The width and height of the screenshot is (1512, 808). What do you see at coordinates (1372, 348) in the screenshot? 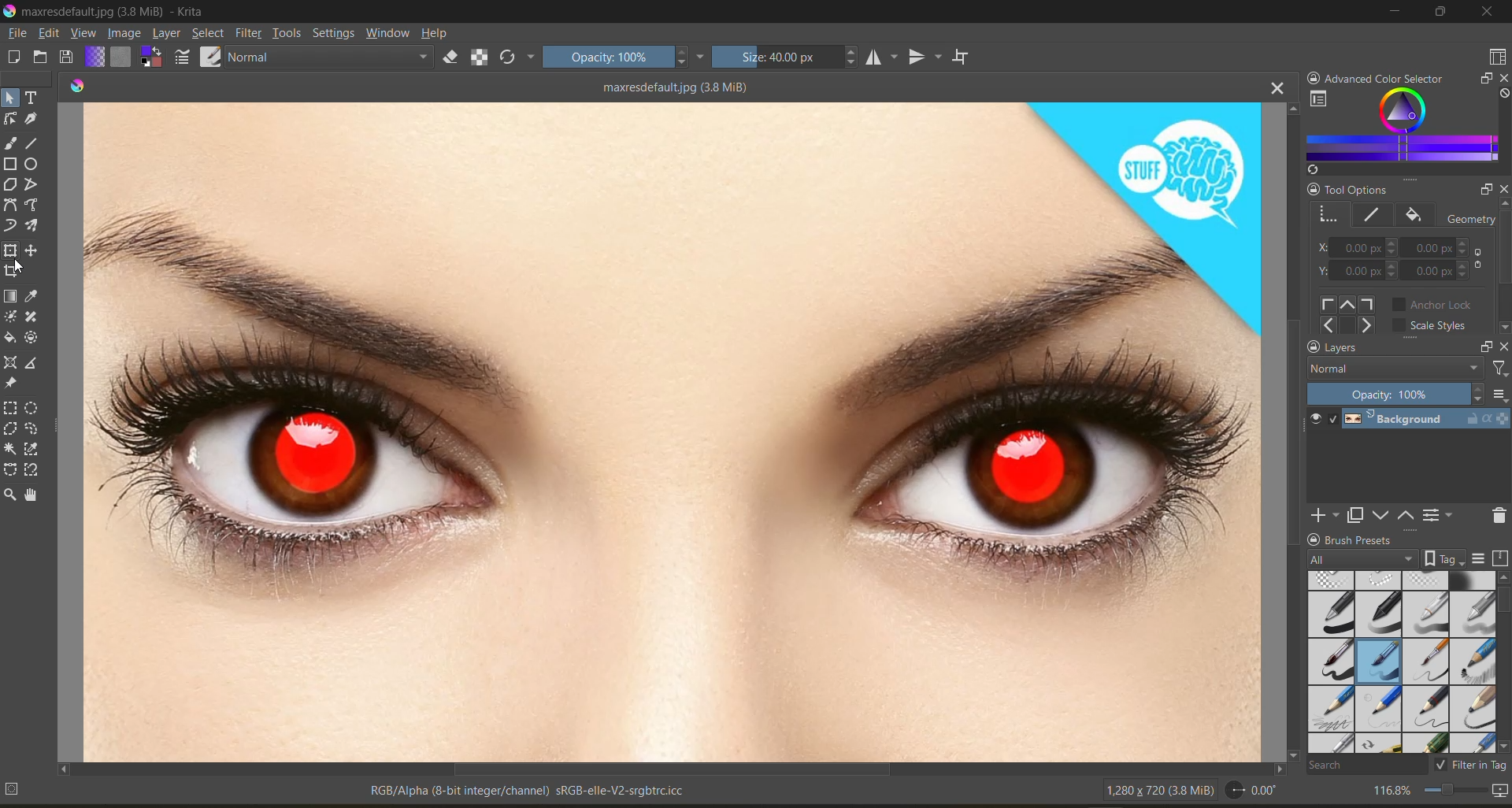
I see `Layers` at bounding box center [1372, 348].